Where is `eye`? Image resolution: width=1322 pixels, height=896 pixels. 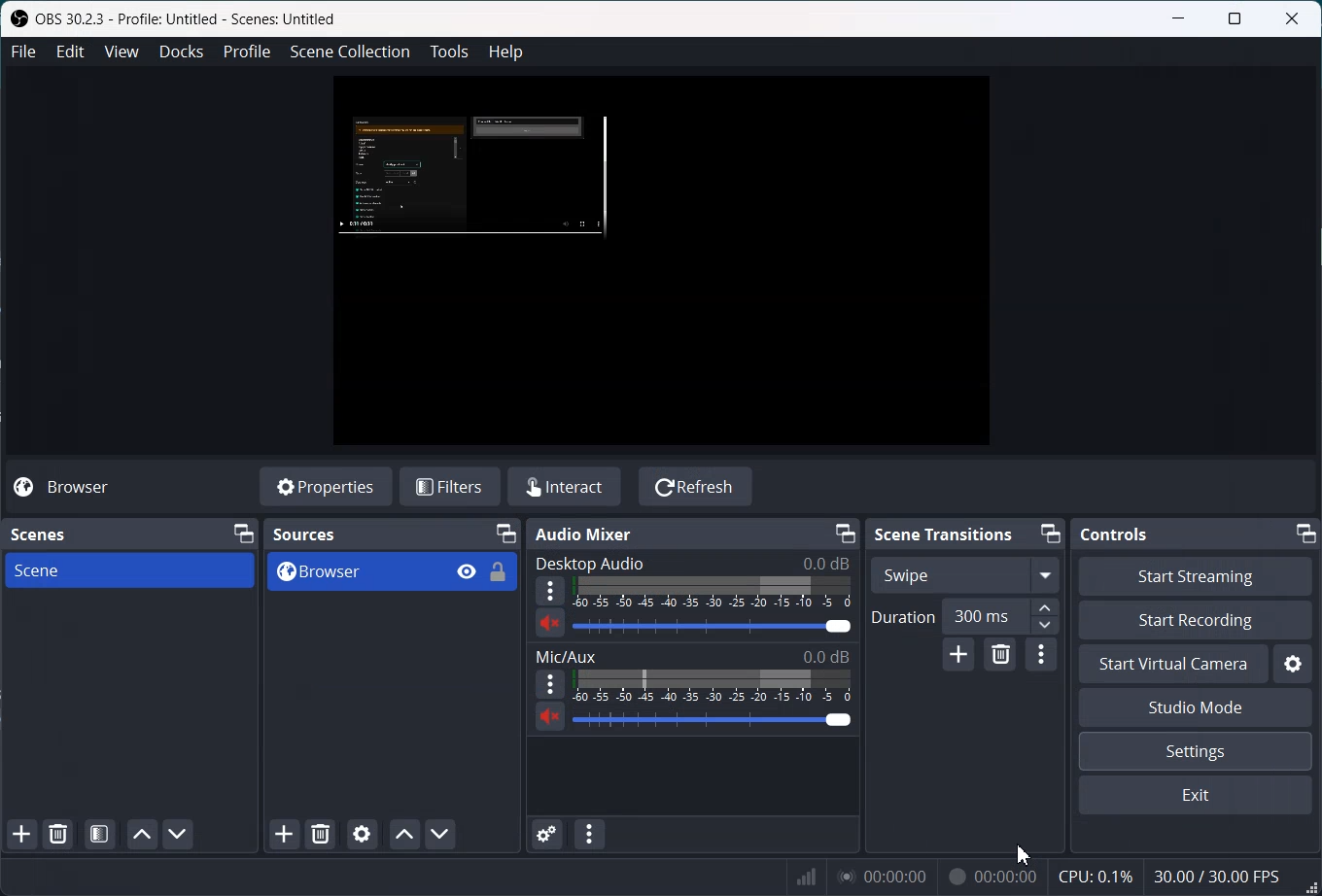
eye is located at coordinates (468, 570).